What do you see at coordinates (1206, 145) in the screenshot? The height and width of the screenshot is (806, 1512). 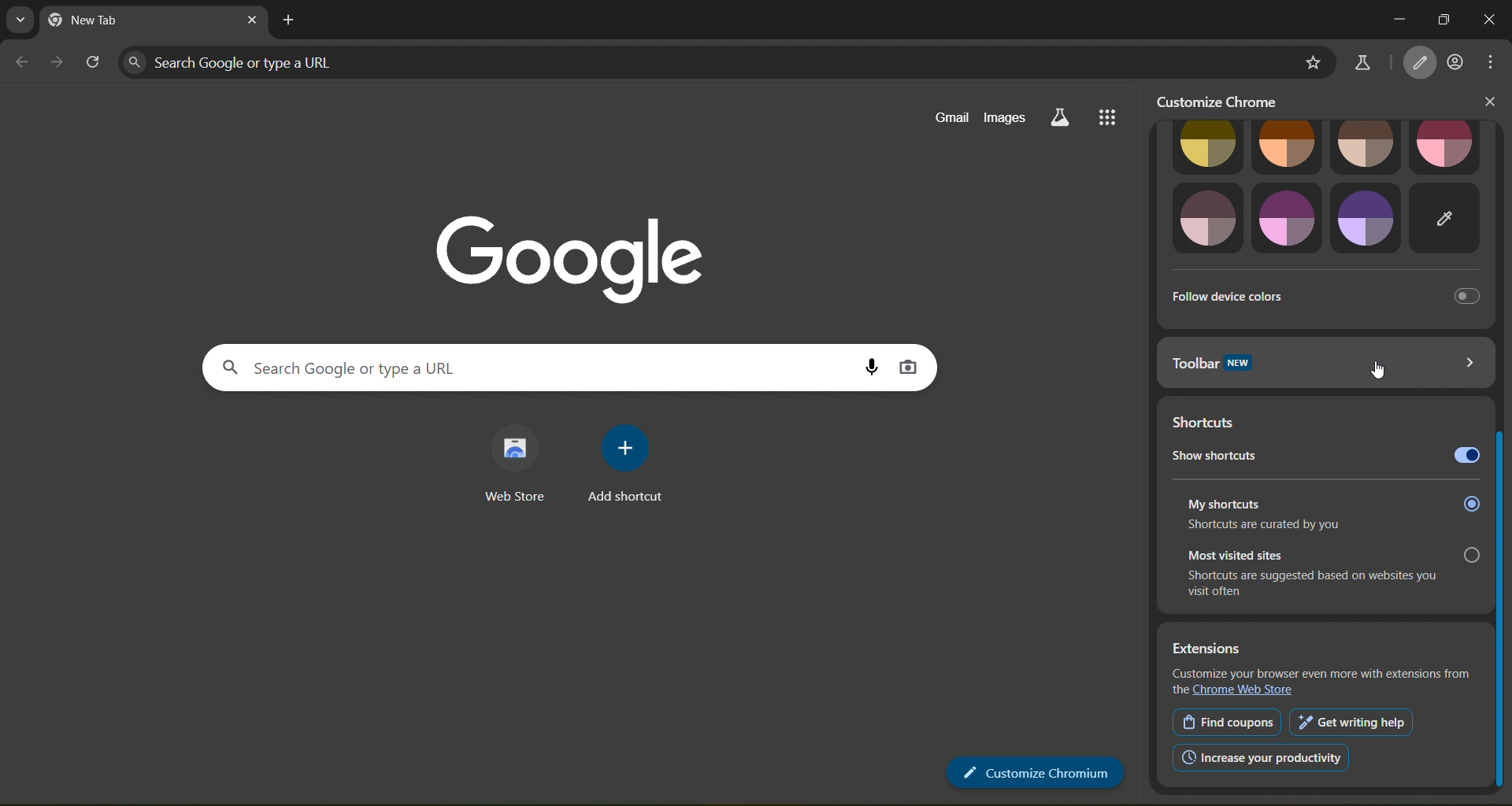 I see `image` at bounding box center [1206, 145].